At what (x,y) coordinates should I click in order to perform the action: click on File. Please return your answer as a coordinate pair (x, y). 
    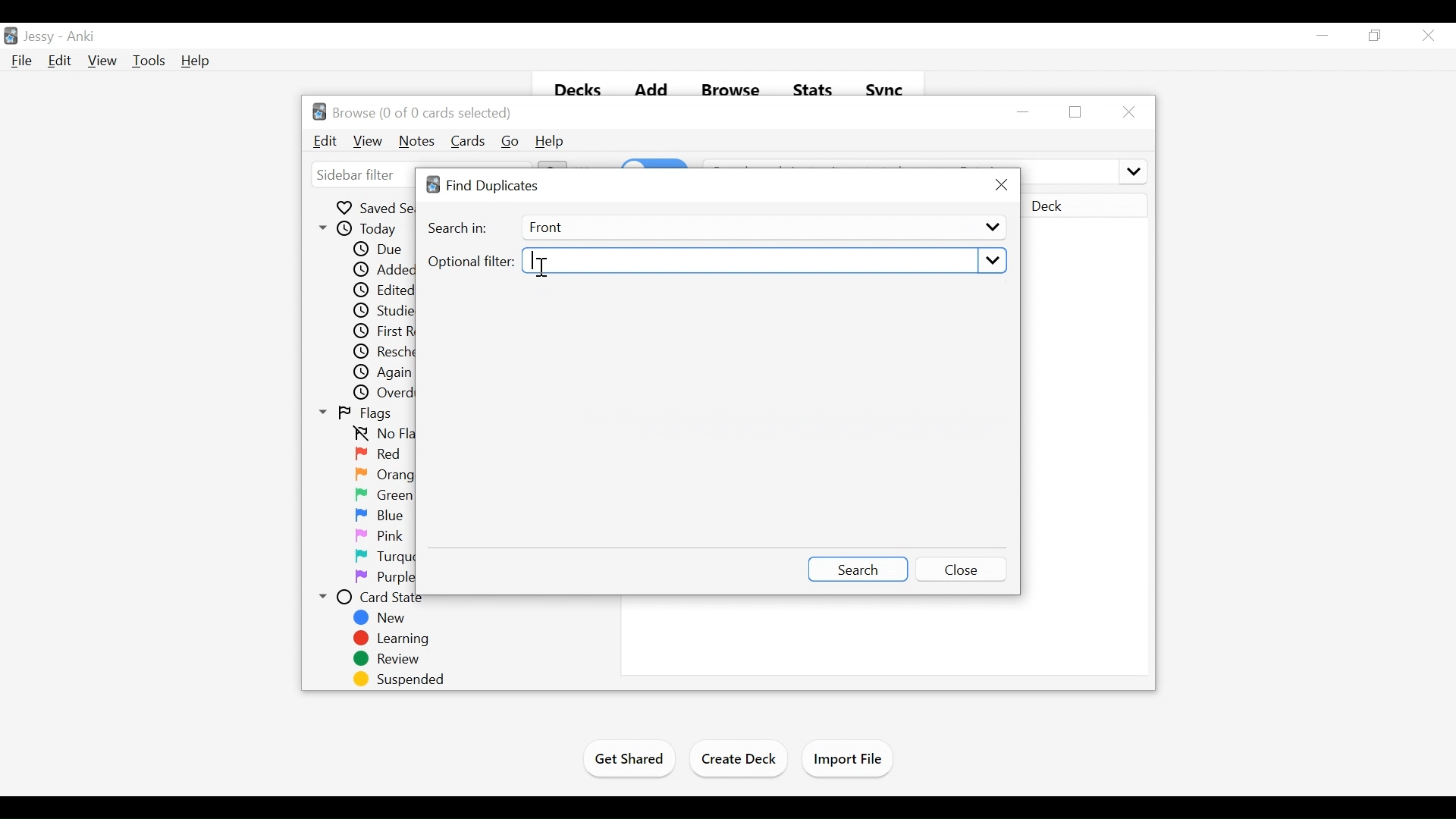
    Looking at the image, I should click on (21, 60).